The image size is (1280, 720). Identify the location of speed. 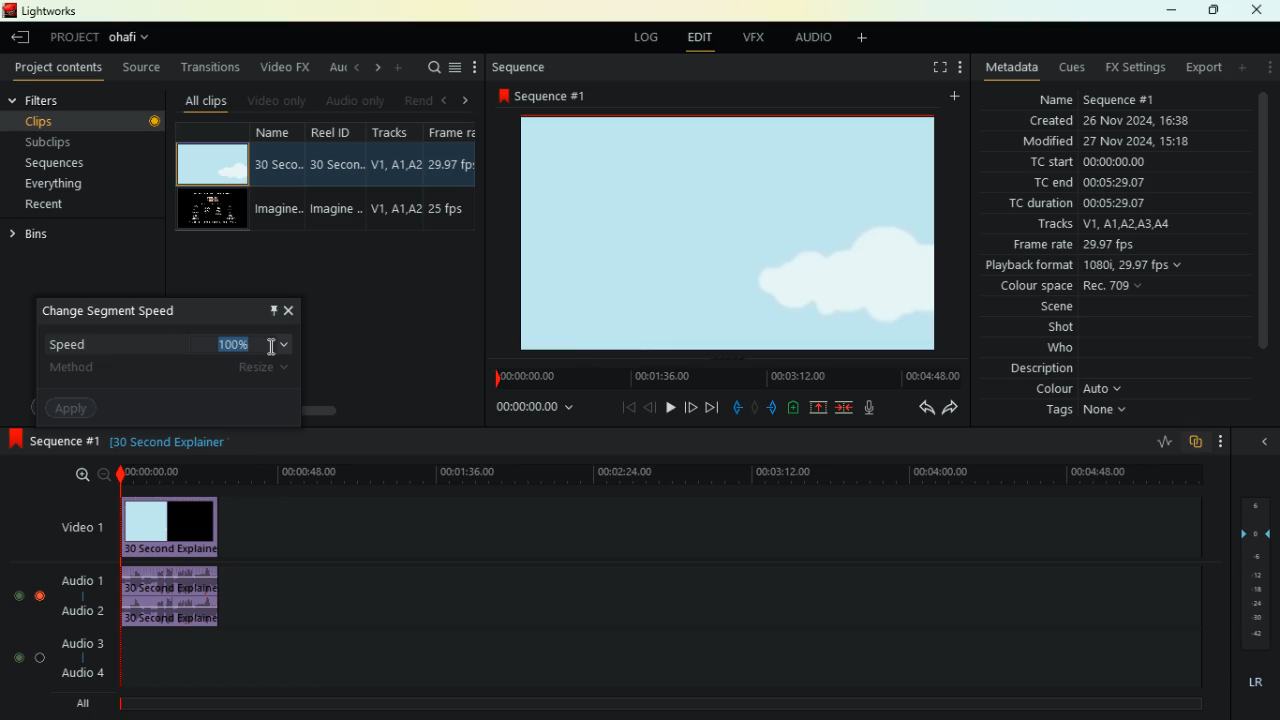
(124, 341).